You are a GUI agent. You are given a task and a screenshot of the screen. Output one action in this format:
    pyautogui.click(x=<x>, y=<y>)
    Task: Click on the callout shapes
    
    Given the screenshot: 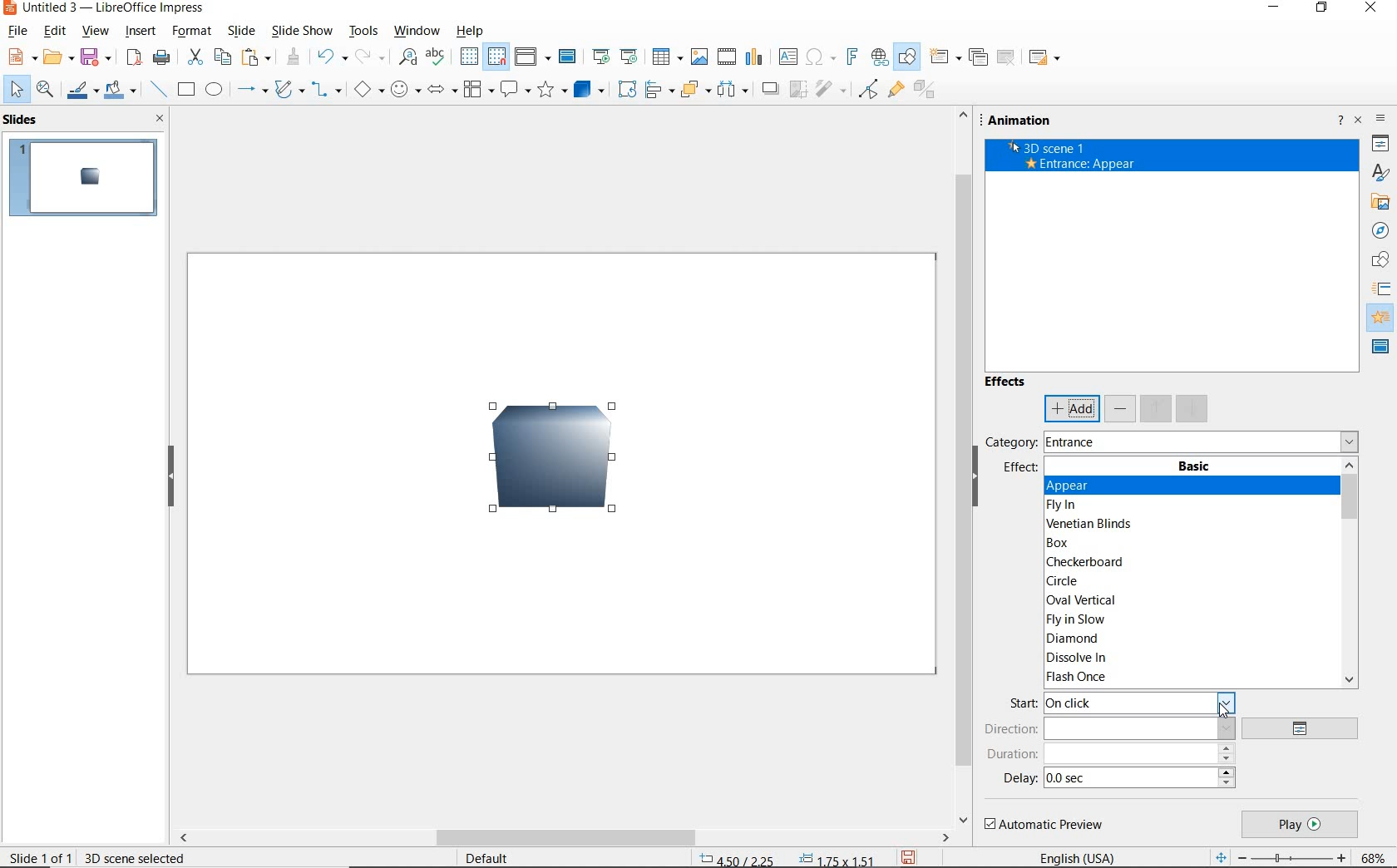 What is the action you would take?
    pyautogui.click(x=515, y=90)
    